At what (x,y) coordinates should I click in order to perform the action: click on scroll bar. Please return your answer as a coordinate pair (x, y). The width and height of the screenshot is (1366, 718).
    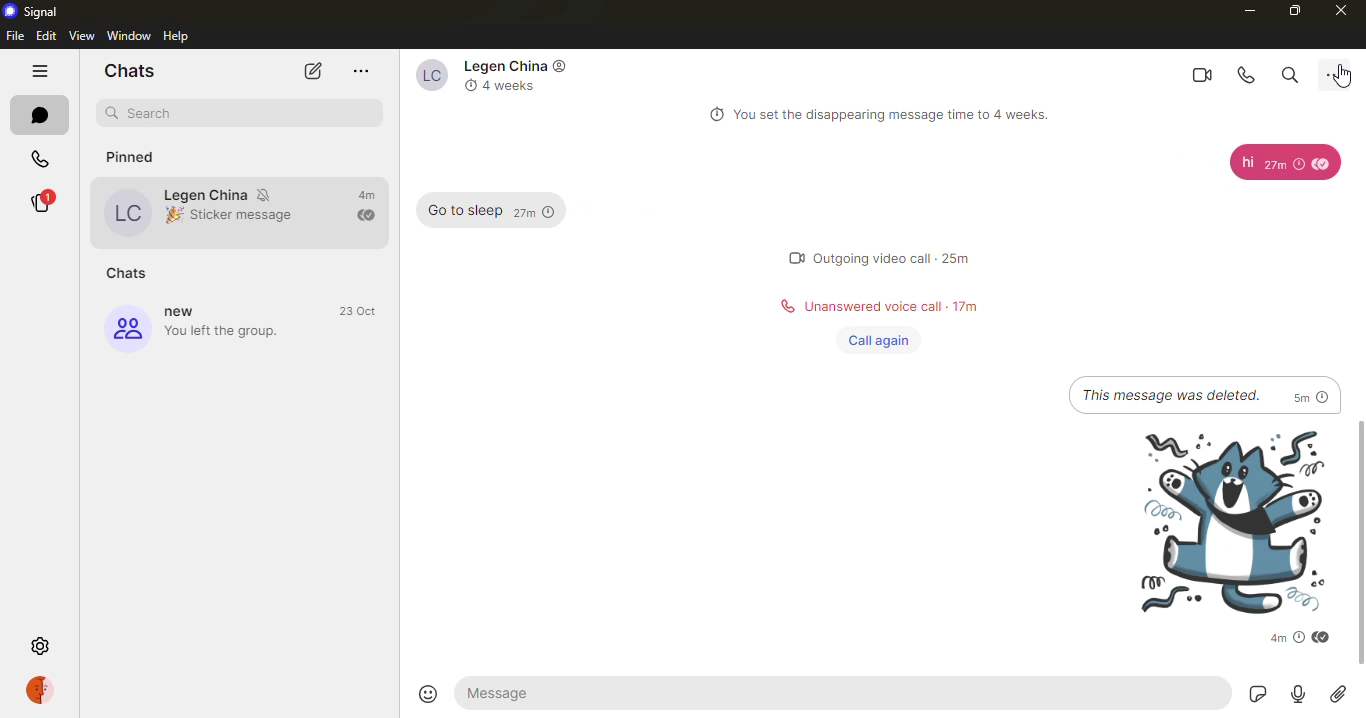
    Looking at the image, I should click on (1360, 546).